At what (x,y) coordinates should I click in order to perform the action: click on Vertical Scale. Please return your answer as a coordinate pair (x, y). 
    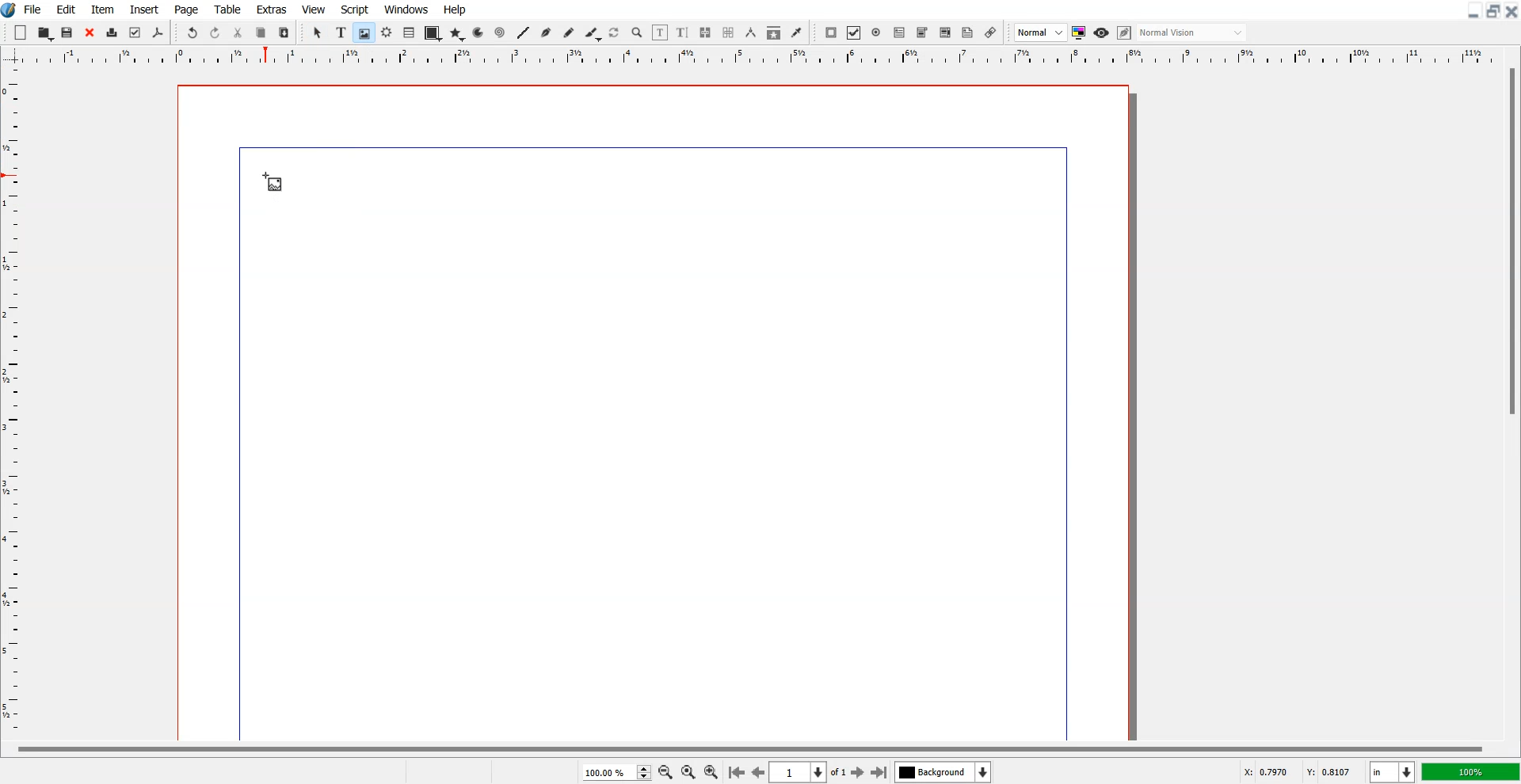
    Looking at the image, I should click on (760, 57).